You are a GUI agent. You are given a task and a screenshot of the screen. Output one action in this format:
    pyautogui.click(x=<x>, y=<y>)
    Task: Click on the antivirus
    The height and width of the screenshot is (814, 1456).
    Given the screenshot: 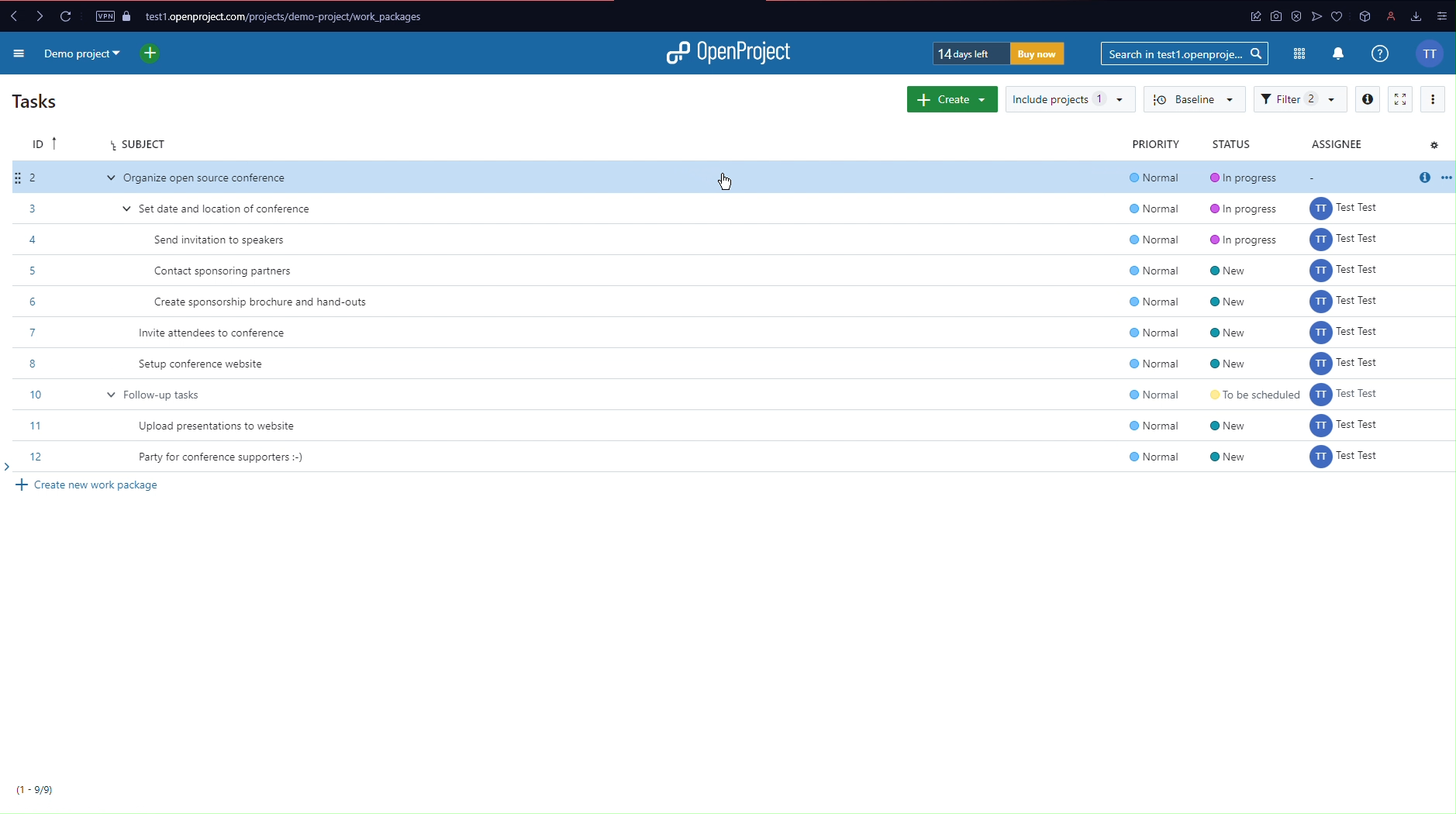 What is the action you would take?
    pyautogui.click(x=1290, y=16)
    